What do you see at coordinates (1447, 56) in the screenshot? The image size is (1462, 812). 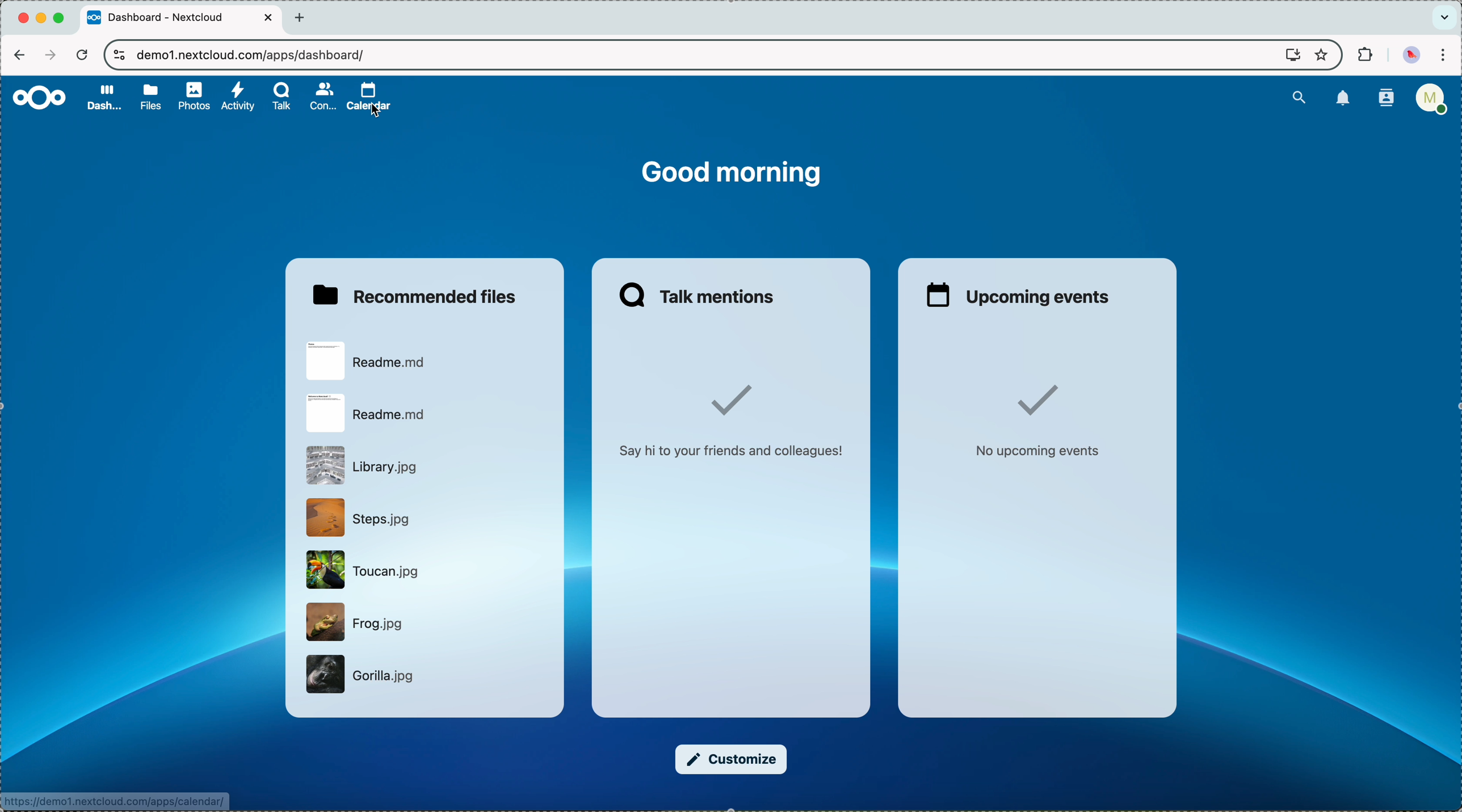 I see `customize and control Google Chrome` at bounding box center [1447, 56].